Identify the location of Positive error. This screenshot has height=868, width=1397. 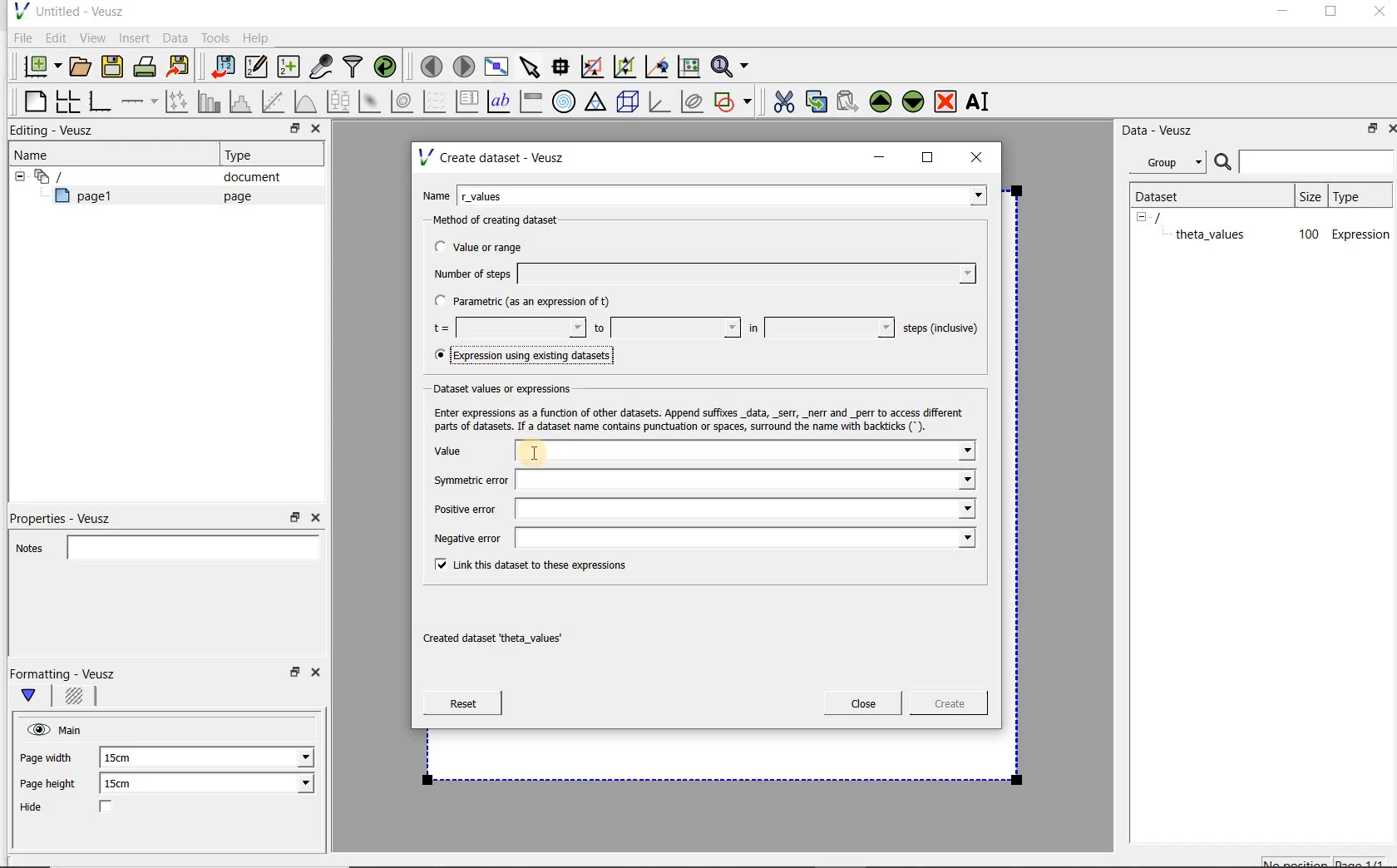
(701, 509).